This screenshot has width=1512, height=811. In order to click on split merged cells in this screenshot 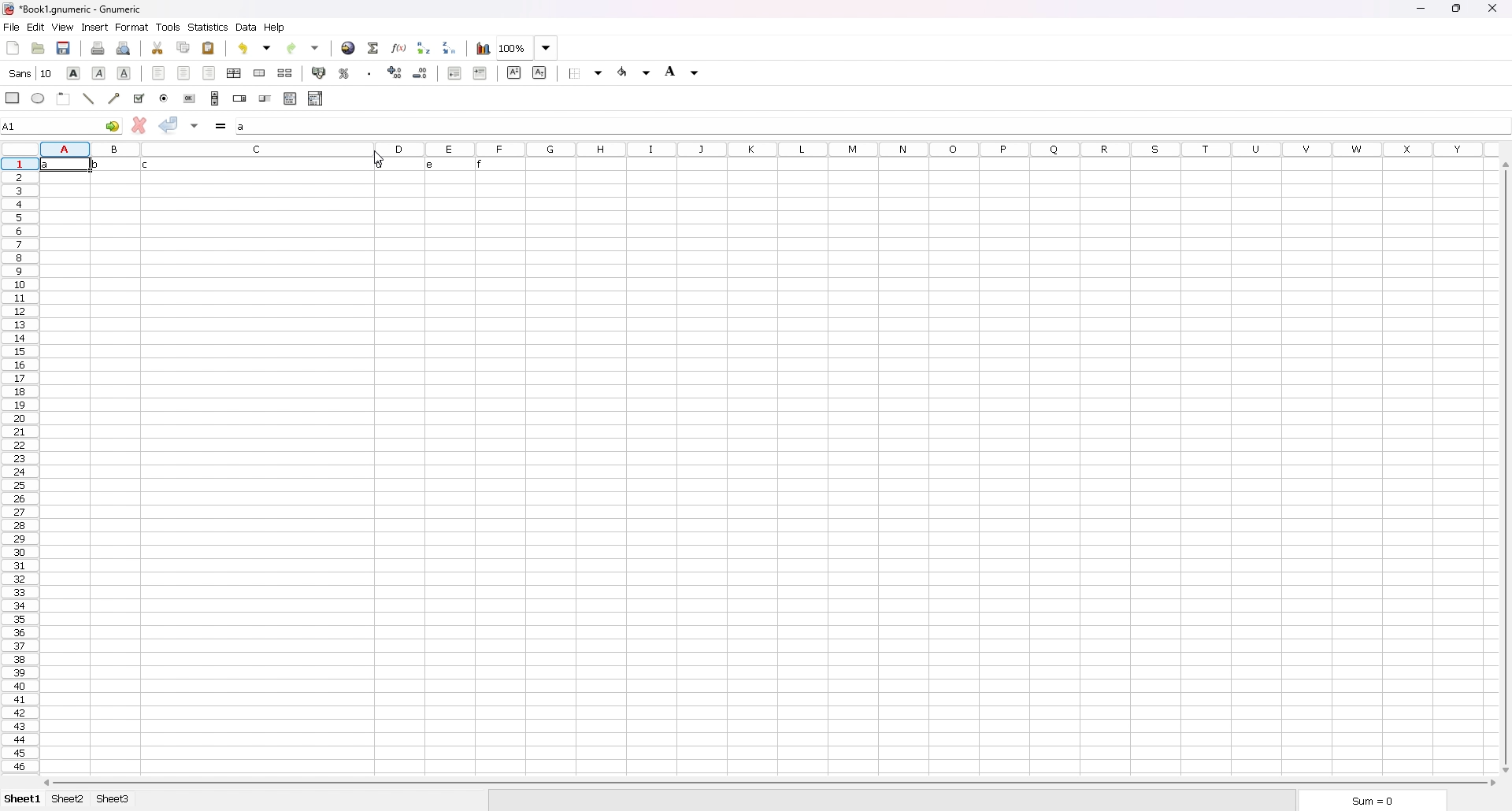, I will do `click(287, 73)`.